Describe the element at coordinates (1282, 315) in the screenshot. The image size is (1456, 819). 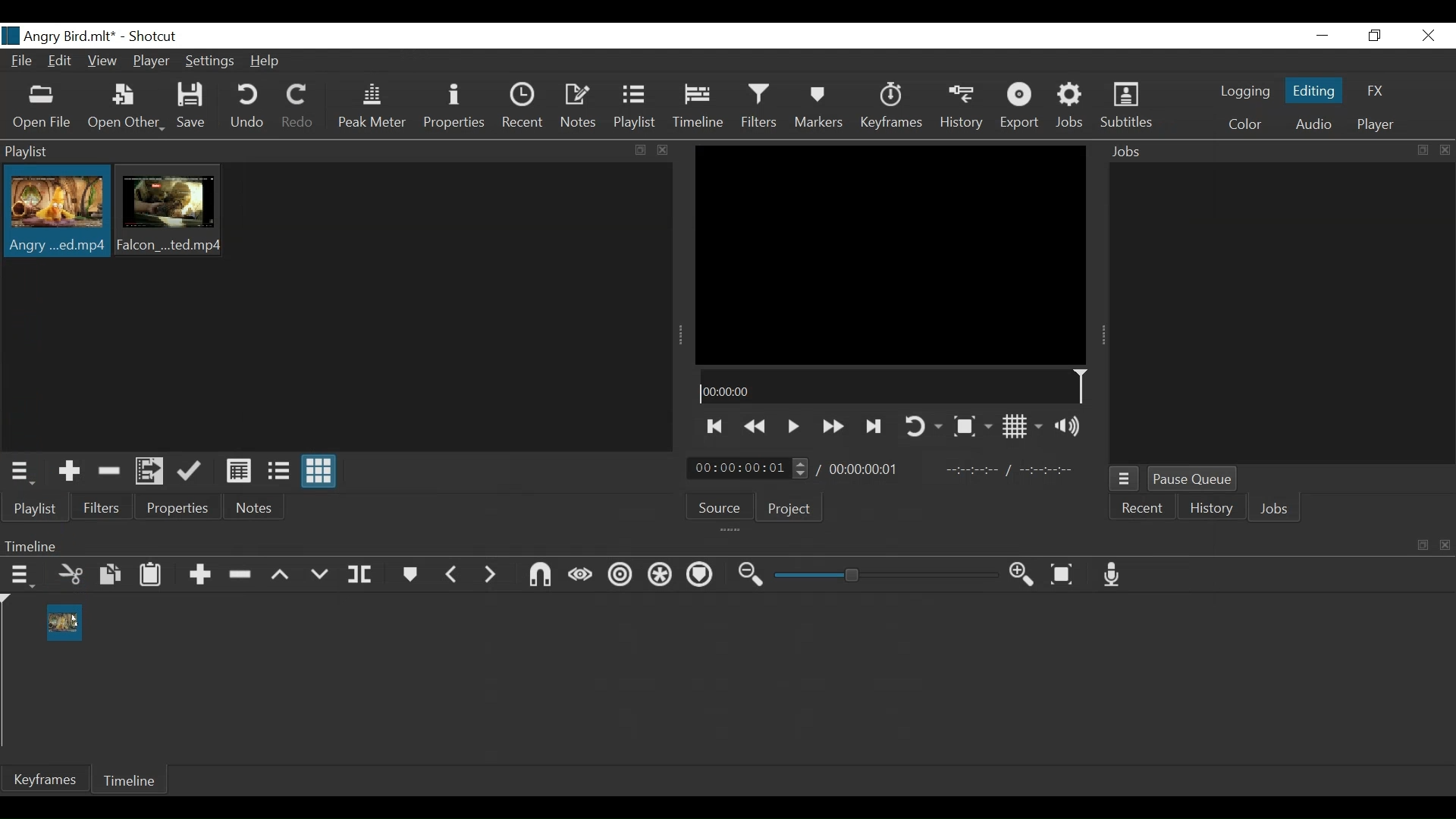
I see `Jobs Panel` at that location.